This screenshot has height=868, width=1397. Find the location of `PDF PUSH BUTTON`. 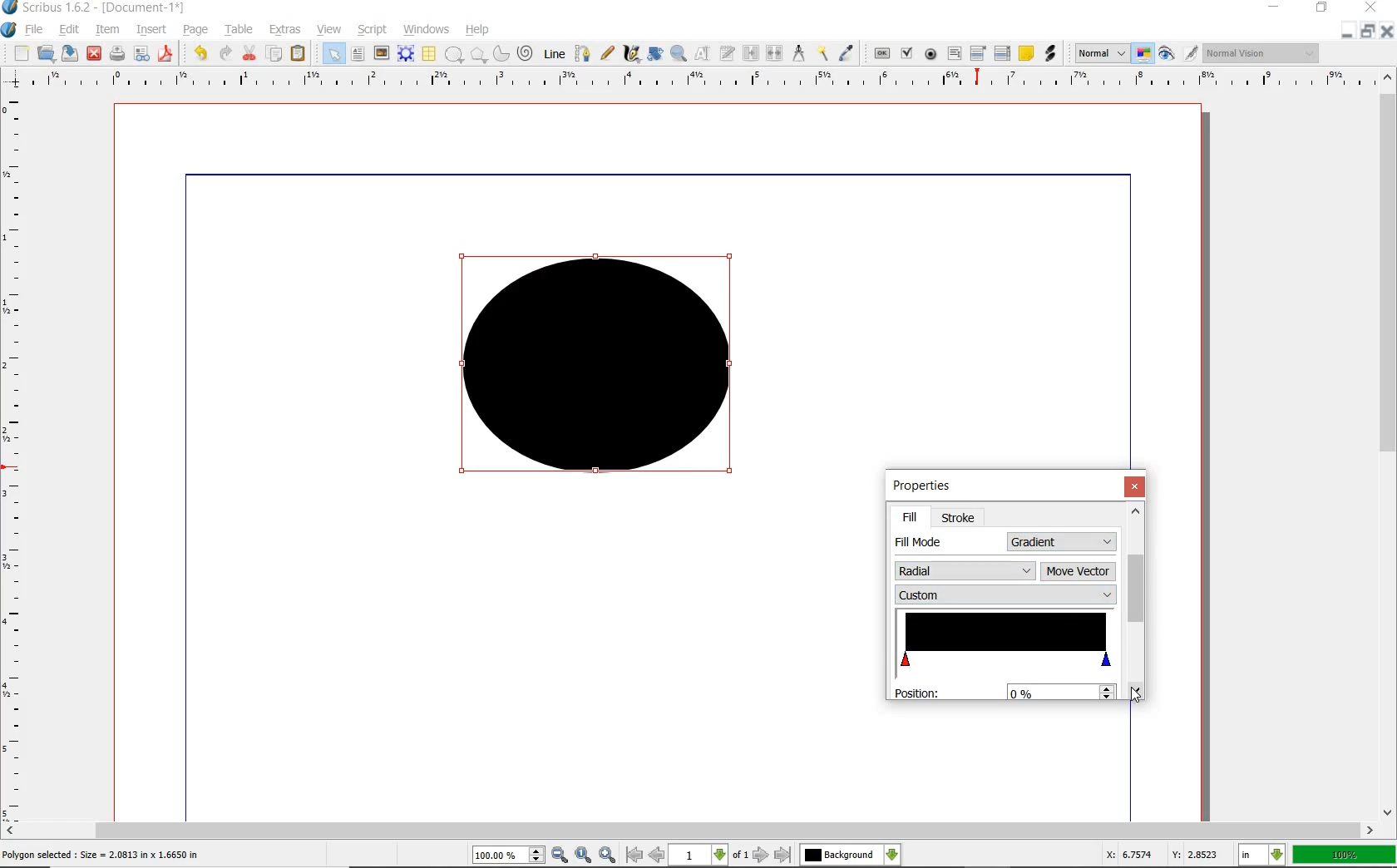

PDF PUSH BUTTON is located at coordinates (881, 54).